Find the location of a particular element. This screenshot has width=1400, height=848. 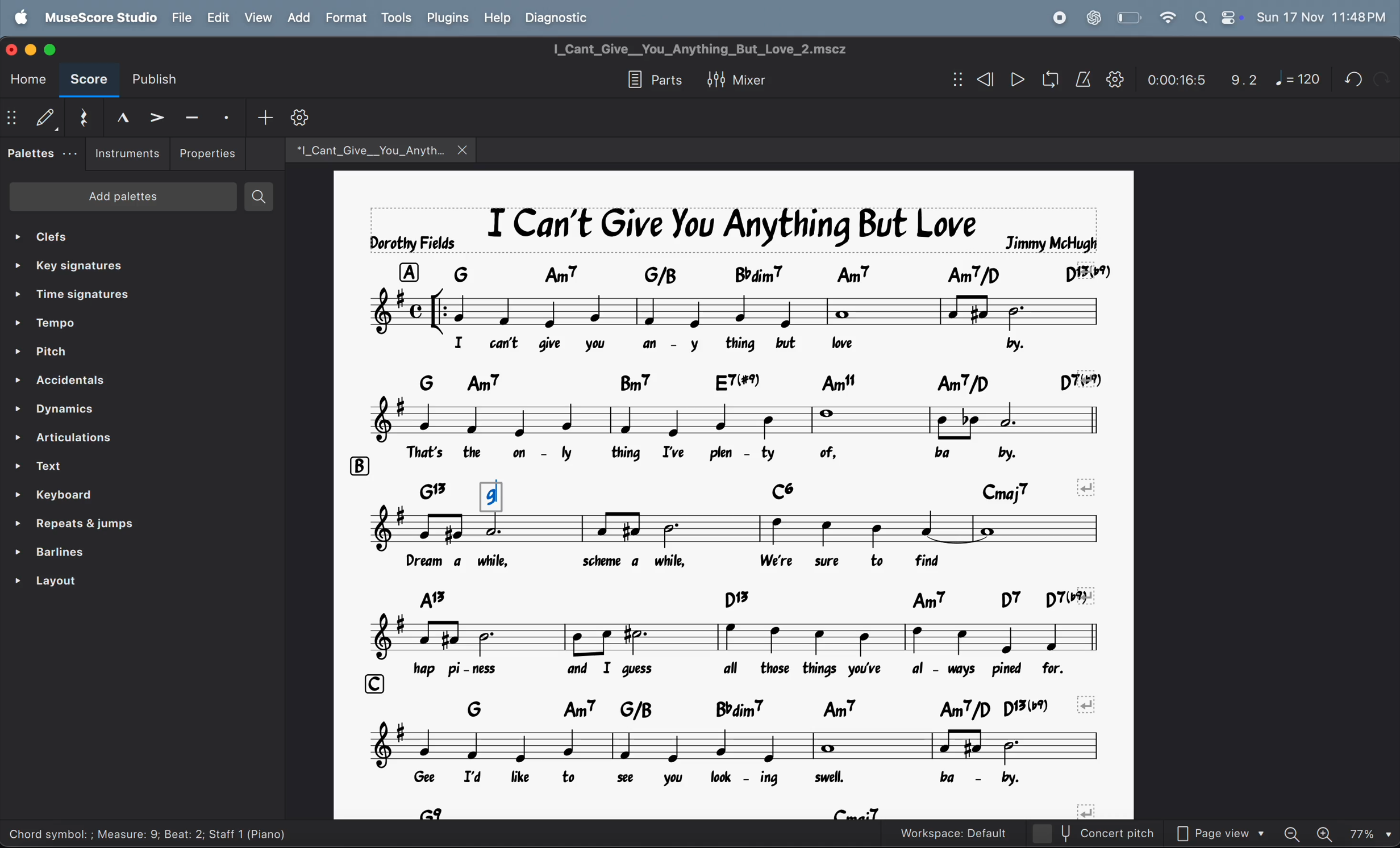

customize tool bar is located at coordinates (314, 116).